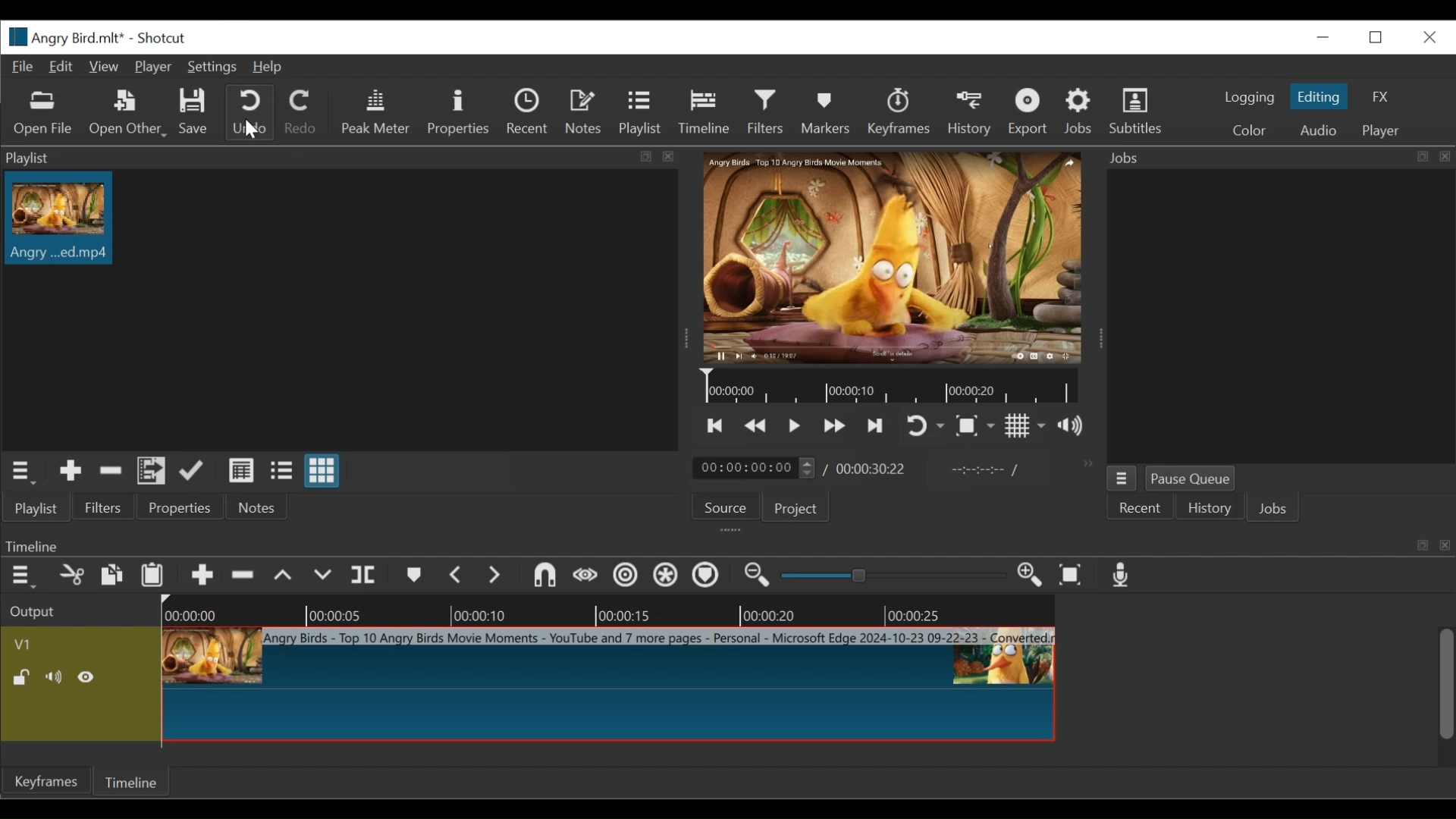 The image size is (1456, 819). I want to click on Playlist, so click(36, 509).